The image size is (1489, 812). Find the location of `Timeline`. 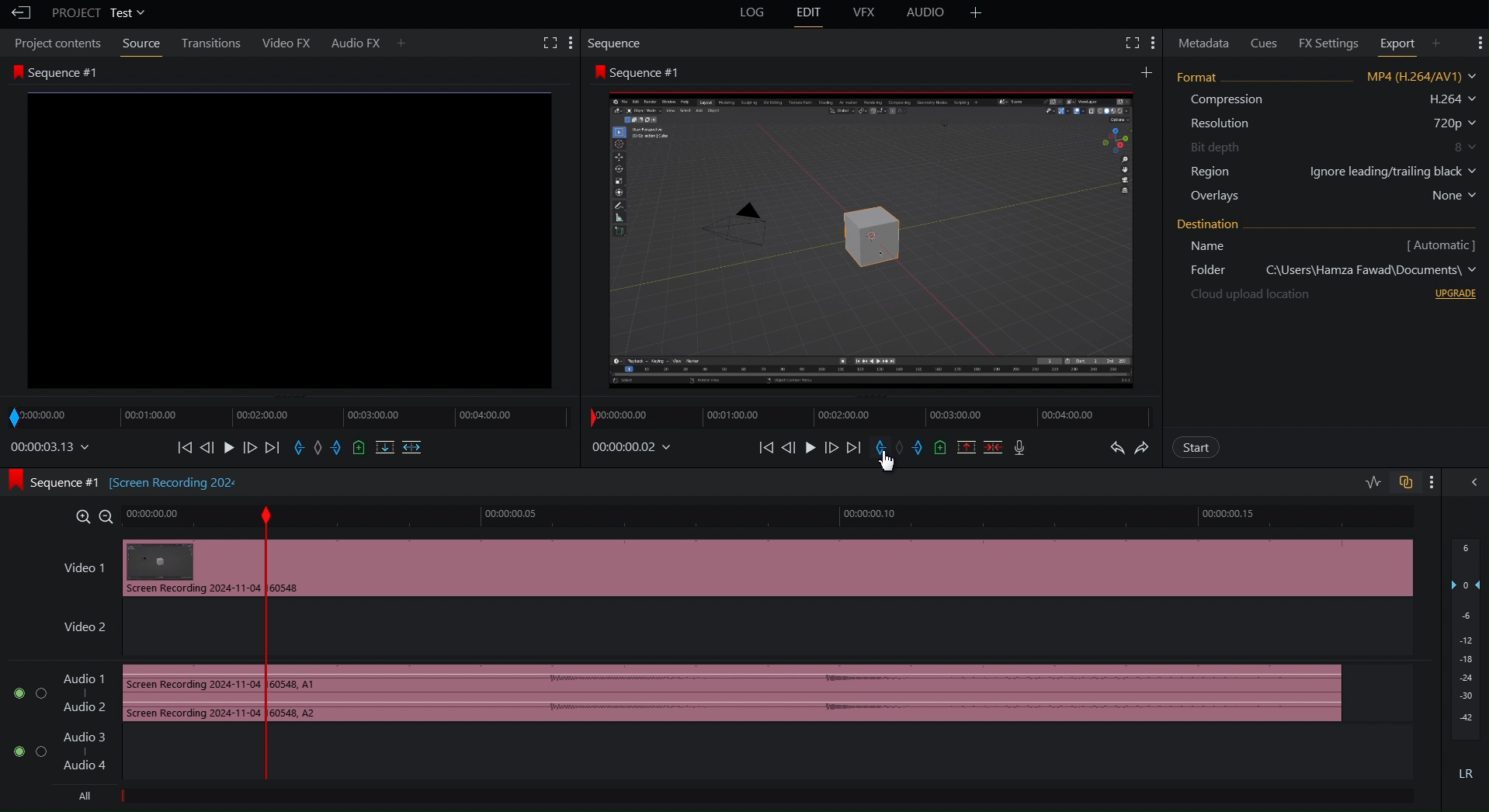

Timeline is located at coordinates (181, 512).